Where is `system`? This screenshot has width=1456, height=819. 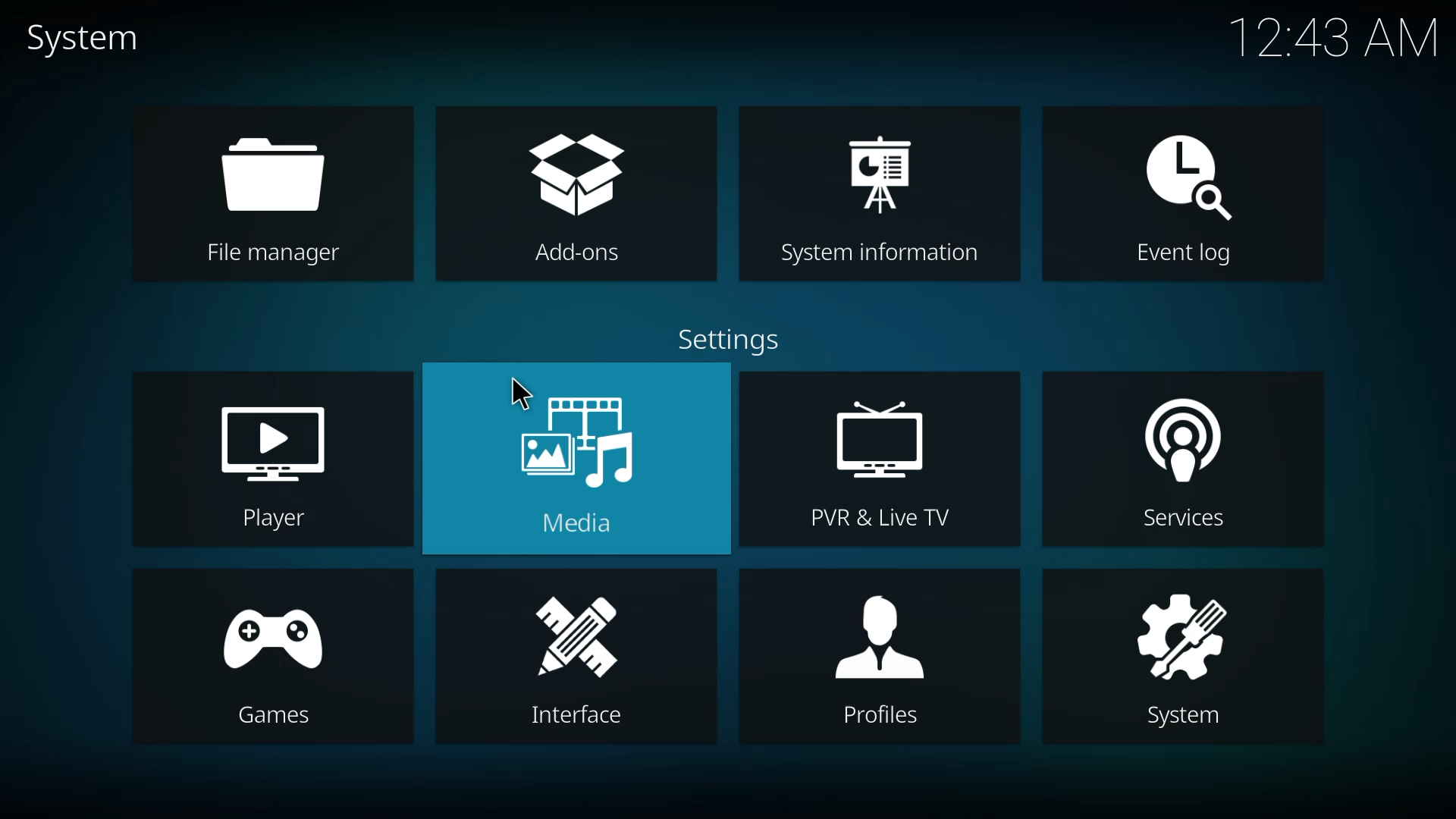 system is located at coordinates (1181, 651).